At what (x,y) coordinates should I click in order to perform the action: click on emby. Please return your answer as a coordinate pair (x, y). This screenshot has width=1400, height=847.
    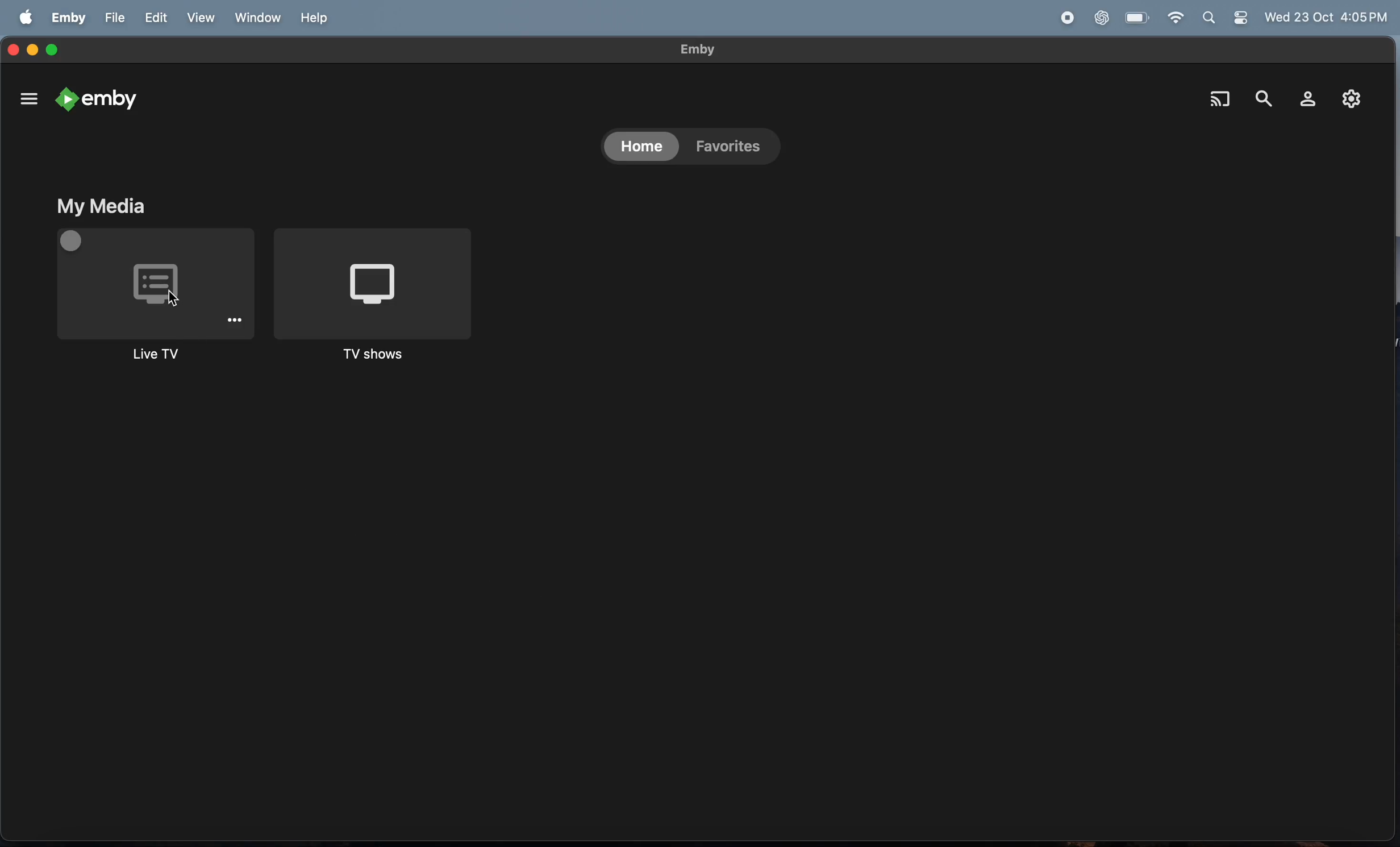
    Looking at the image, I should click on (97, 100).